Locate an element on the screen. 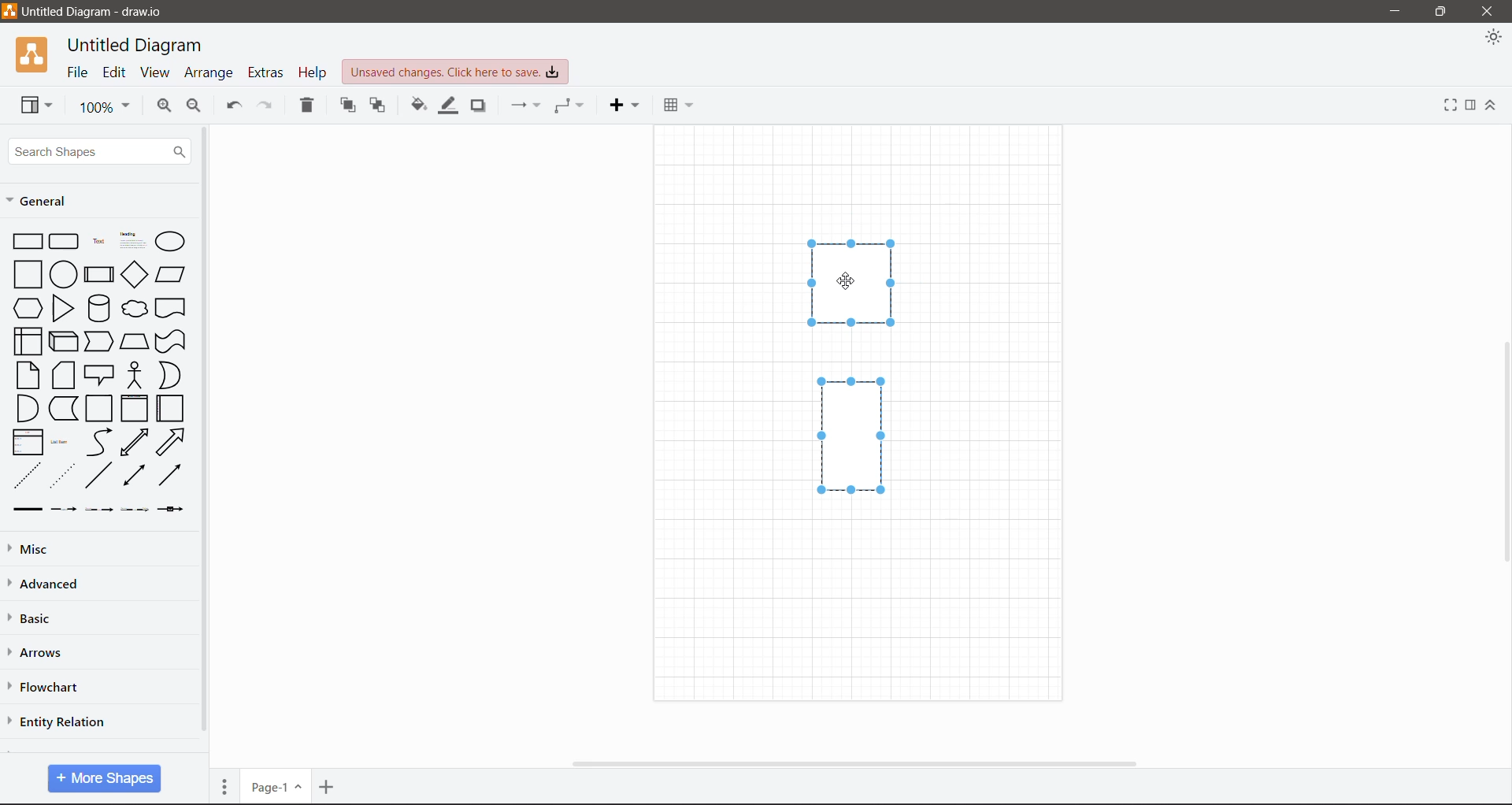  Restore Down is located at coordinates (1441, 12).